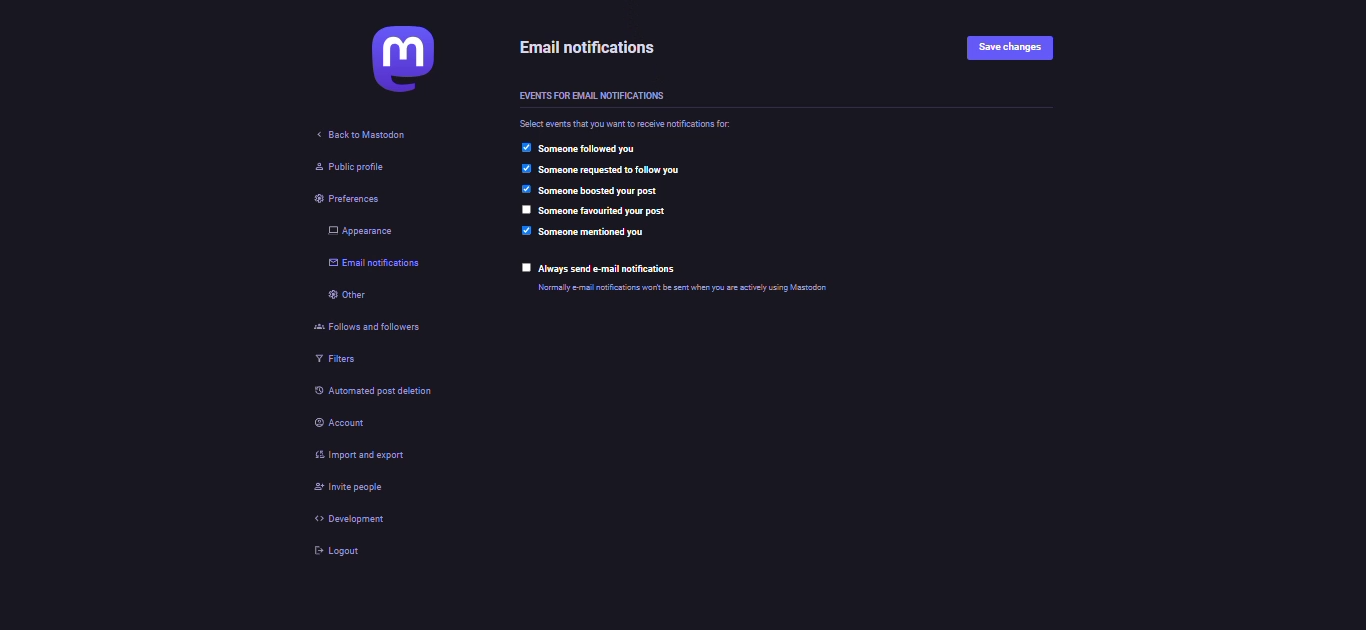 The height and width of the screenshot is (630, 1366). What do you see at coordinates (602, 212) in the screenshot?
I see `someone favorited your post` at bounding box center [602, 212].